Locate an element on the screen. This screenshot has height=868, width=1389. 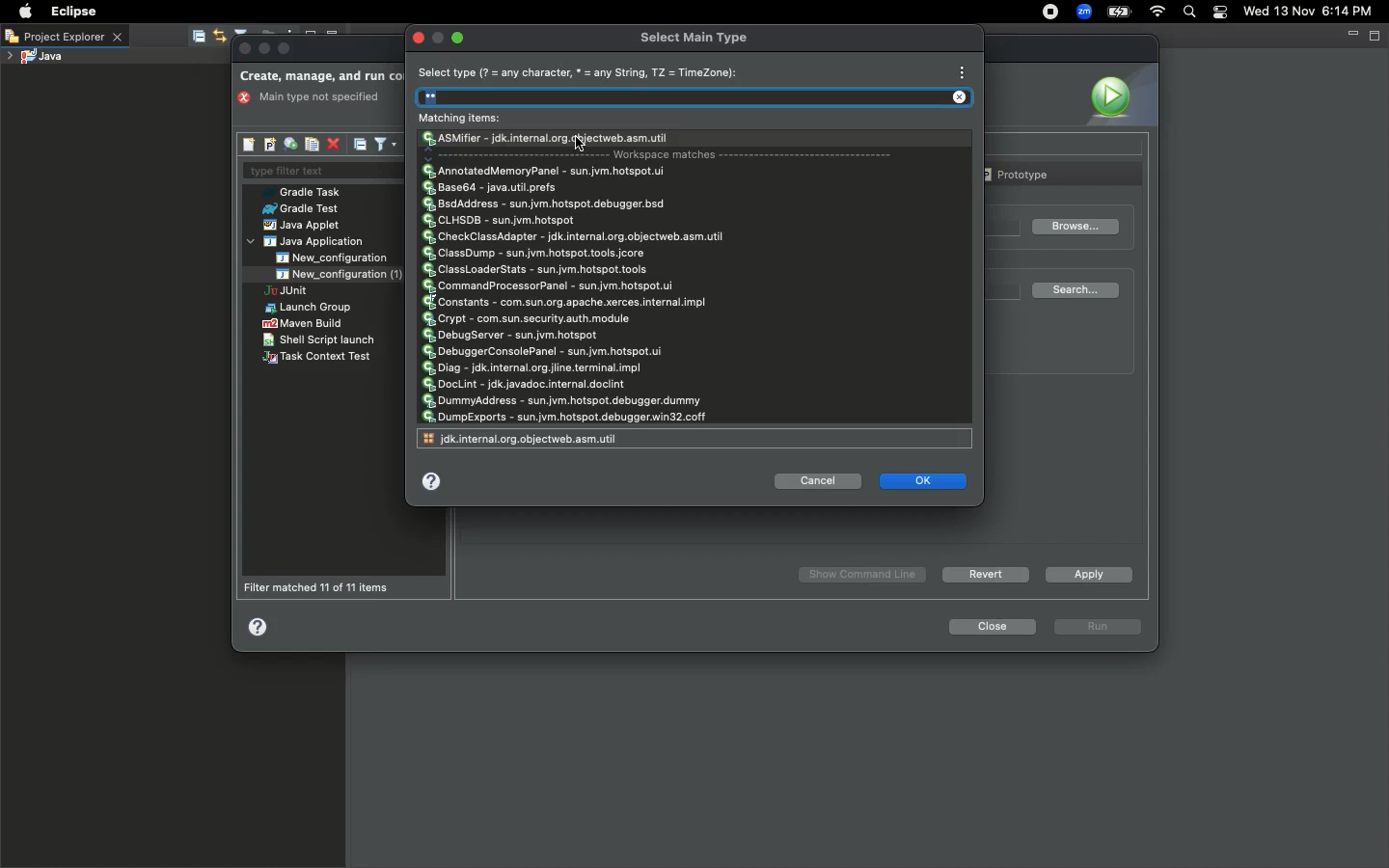
DumpExports - sun.jvm.hotspot.debugger.win32.coff is located at coordinates (563, 418).